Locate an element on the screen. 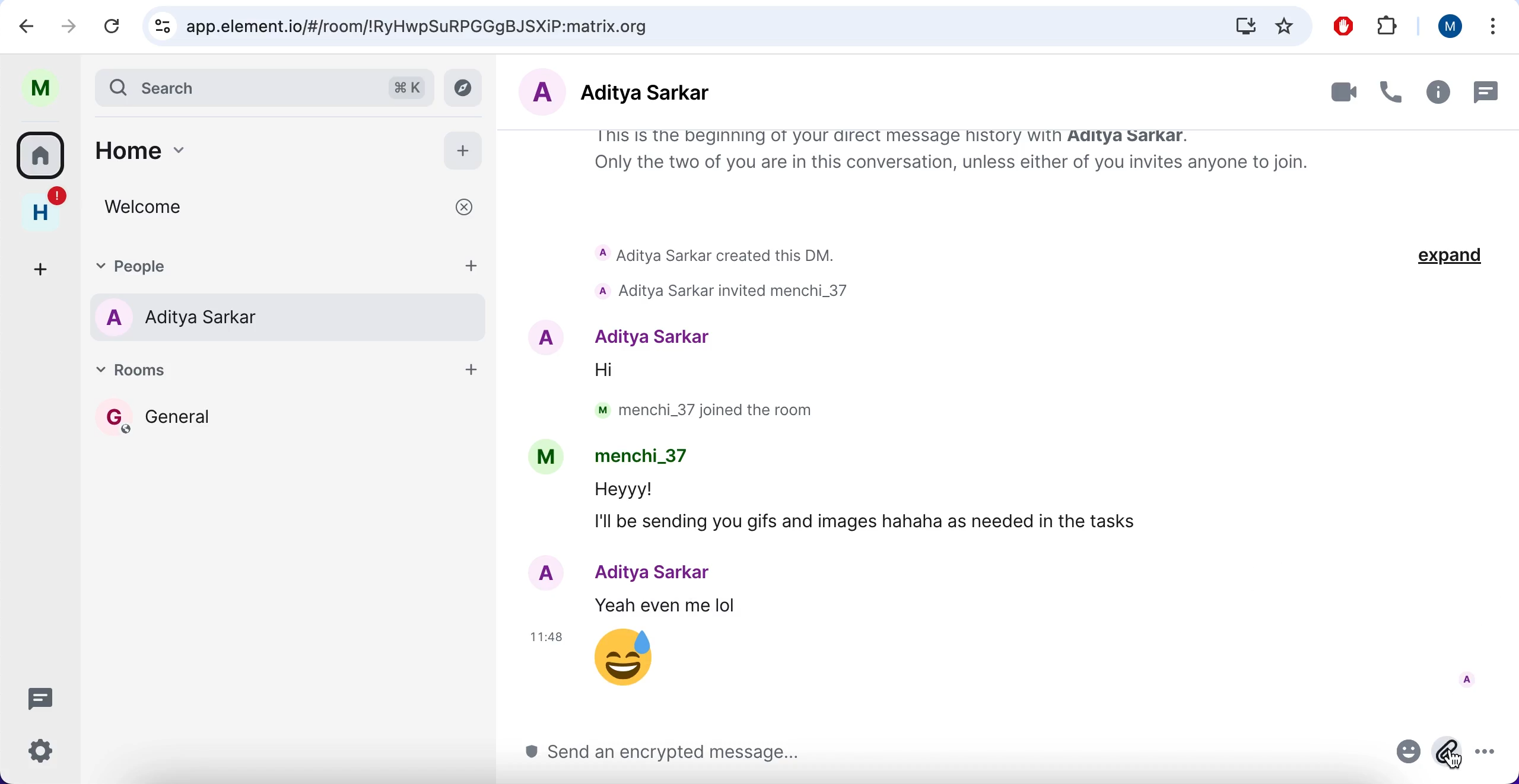 The width and height of the screenshot is (1519, 784). add is located at coordinates (468, 374).